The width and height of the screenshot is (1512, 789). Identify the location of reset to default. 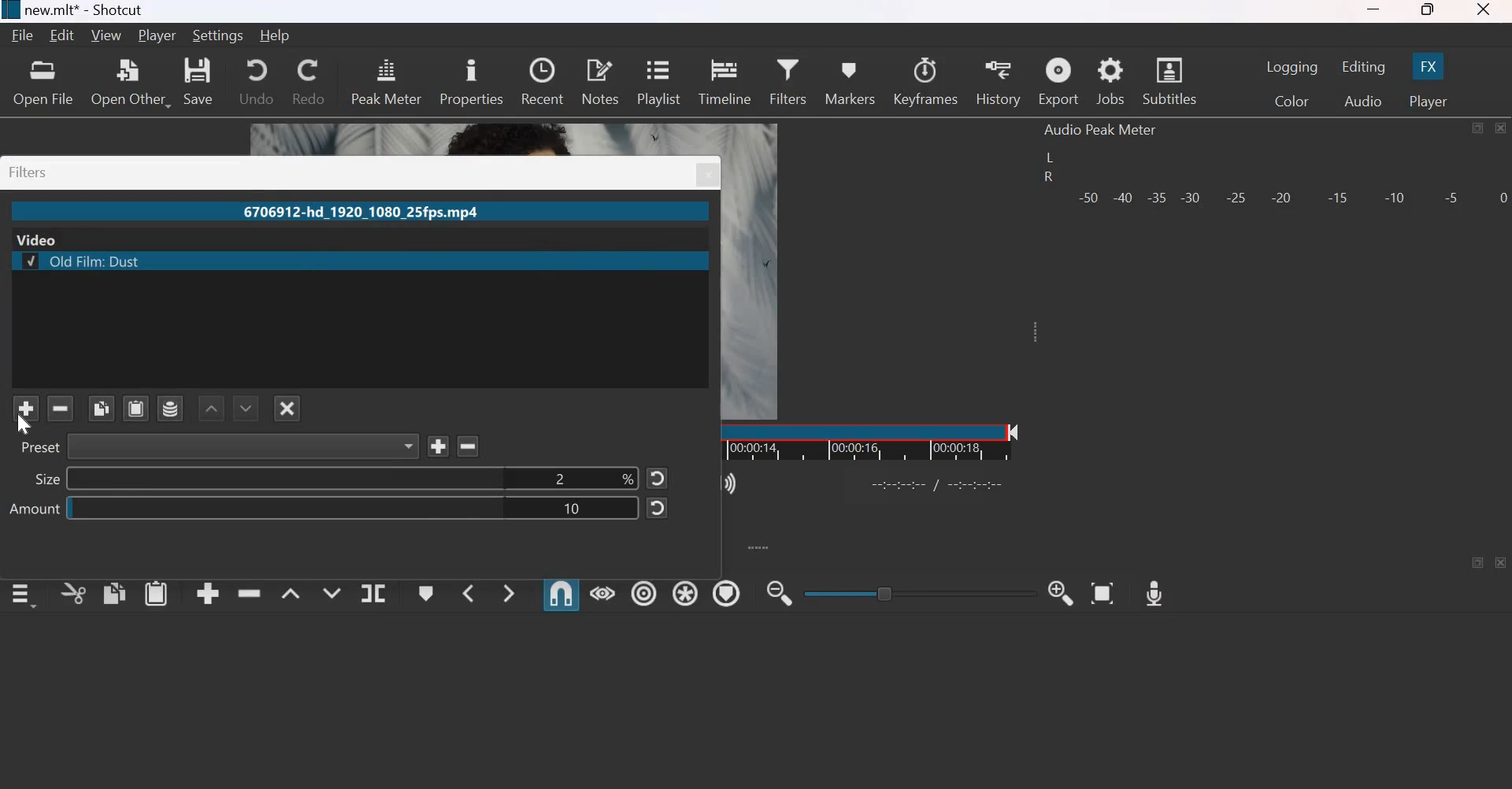
(658, 477).